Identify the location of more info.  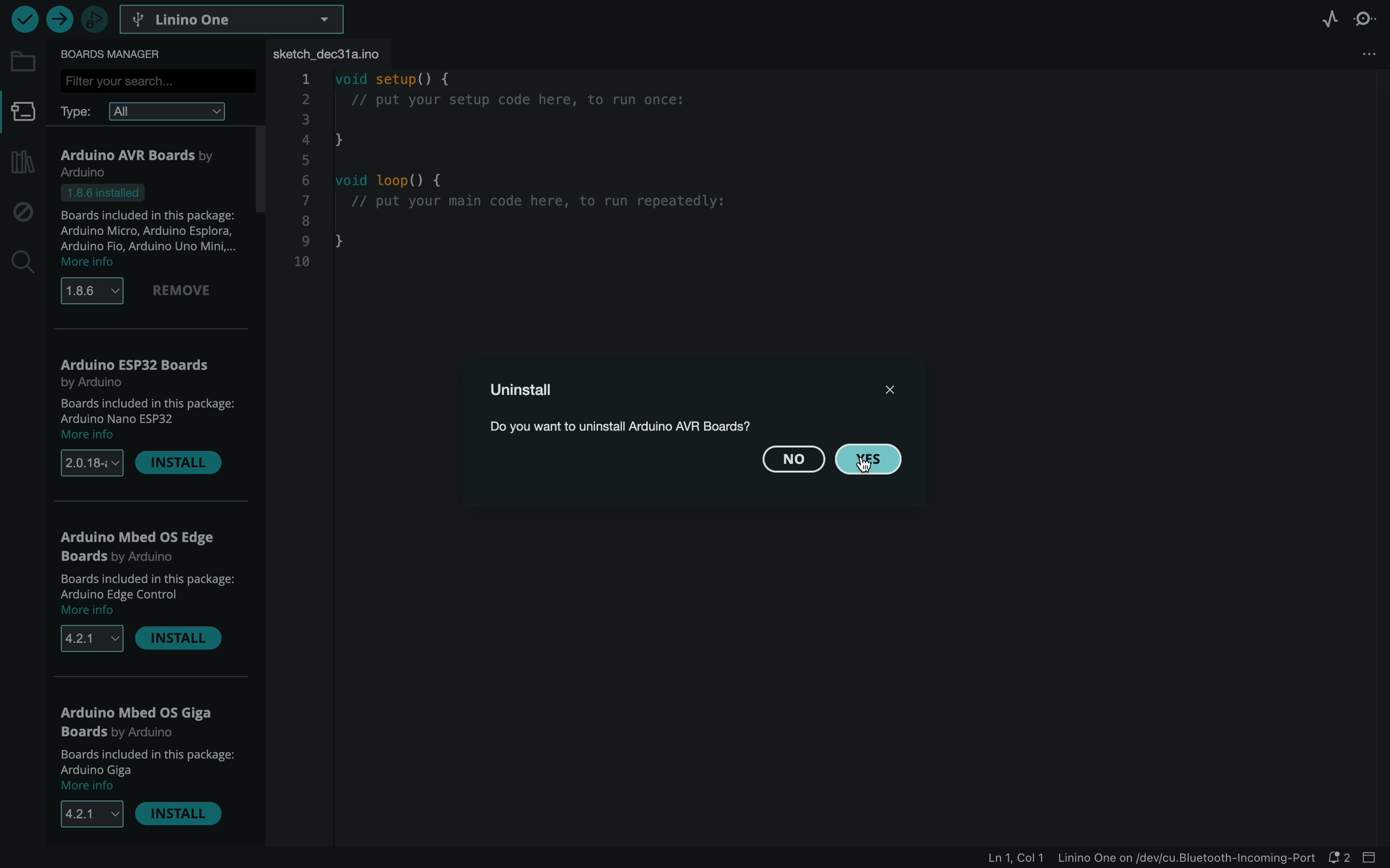
(88, 264).